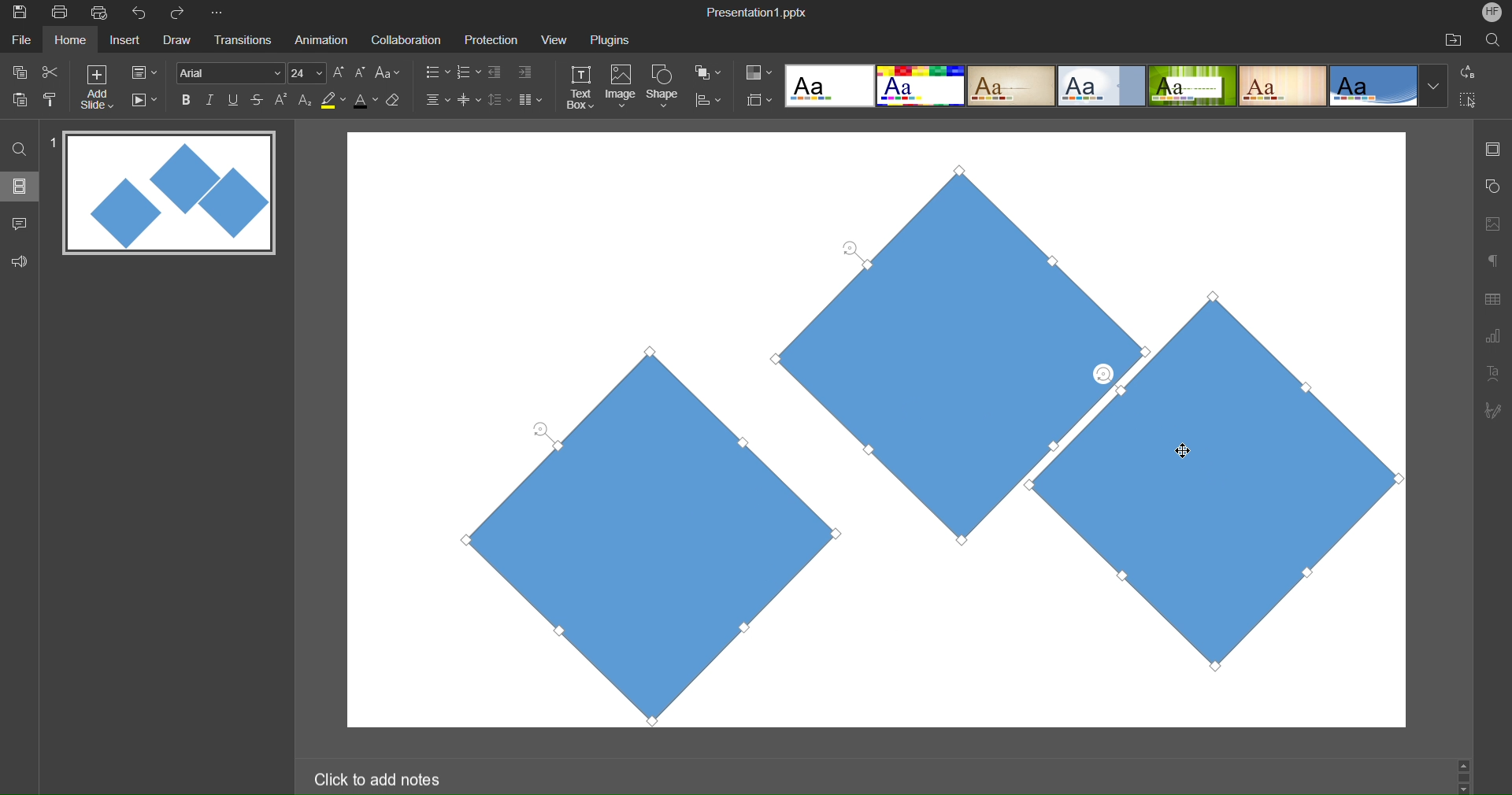  I want to click on Columns, so click(532, 99).